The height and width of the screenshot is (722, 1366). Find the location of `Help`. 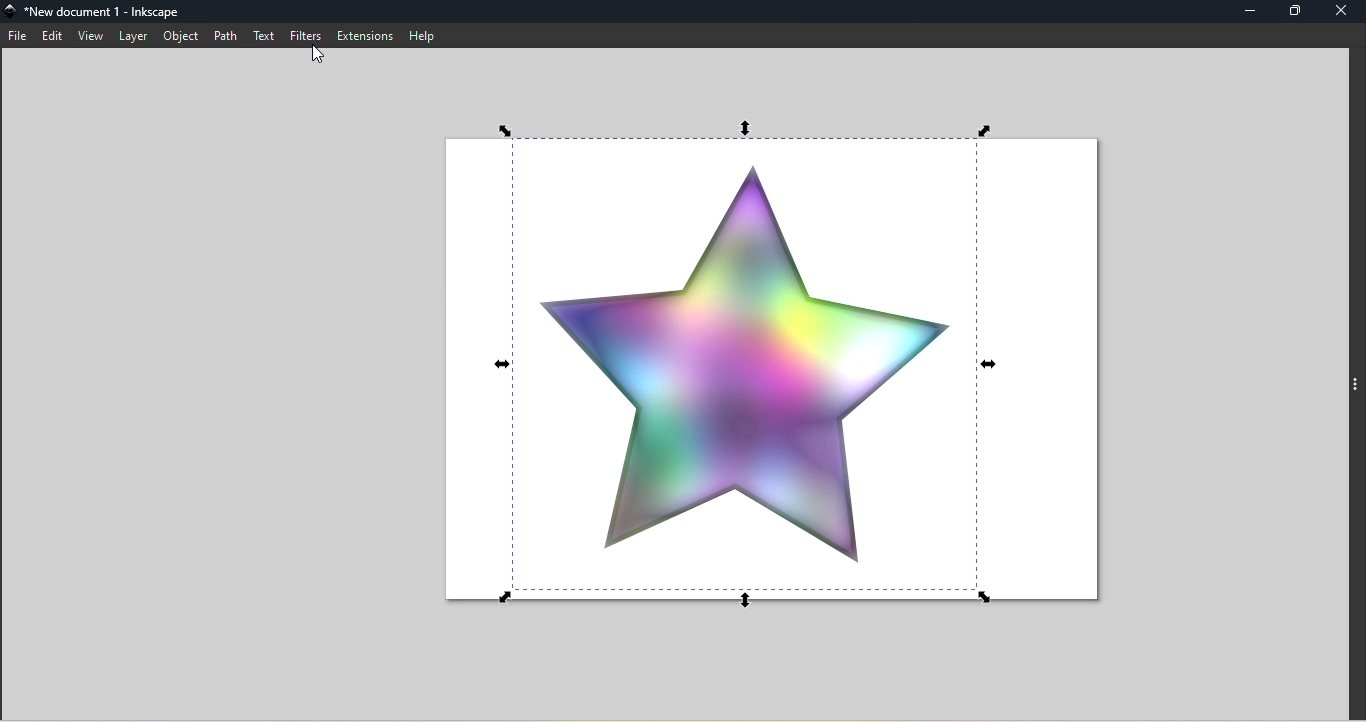

Help is located at coordinates (424, 36).